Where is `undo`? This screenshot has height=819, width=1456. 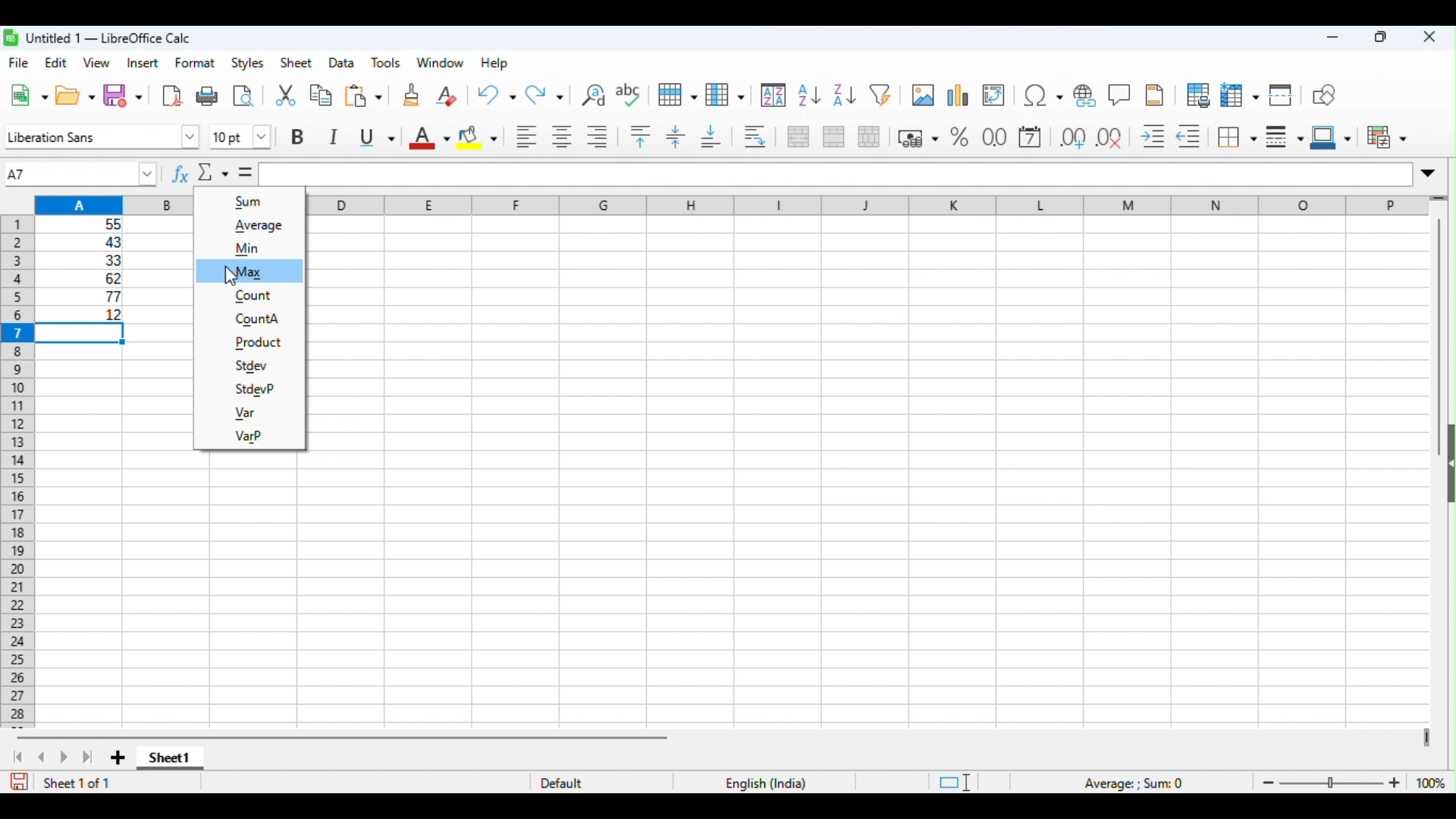 undo is located at coordinates (497, 96).